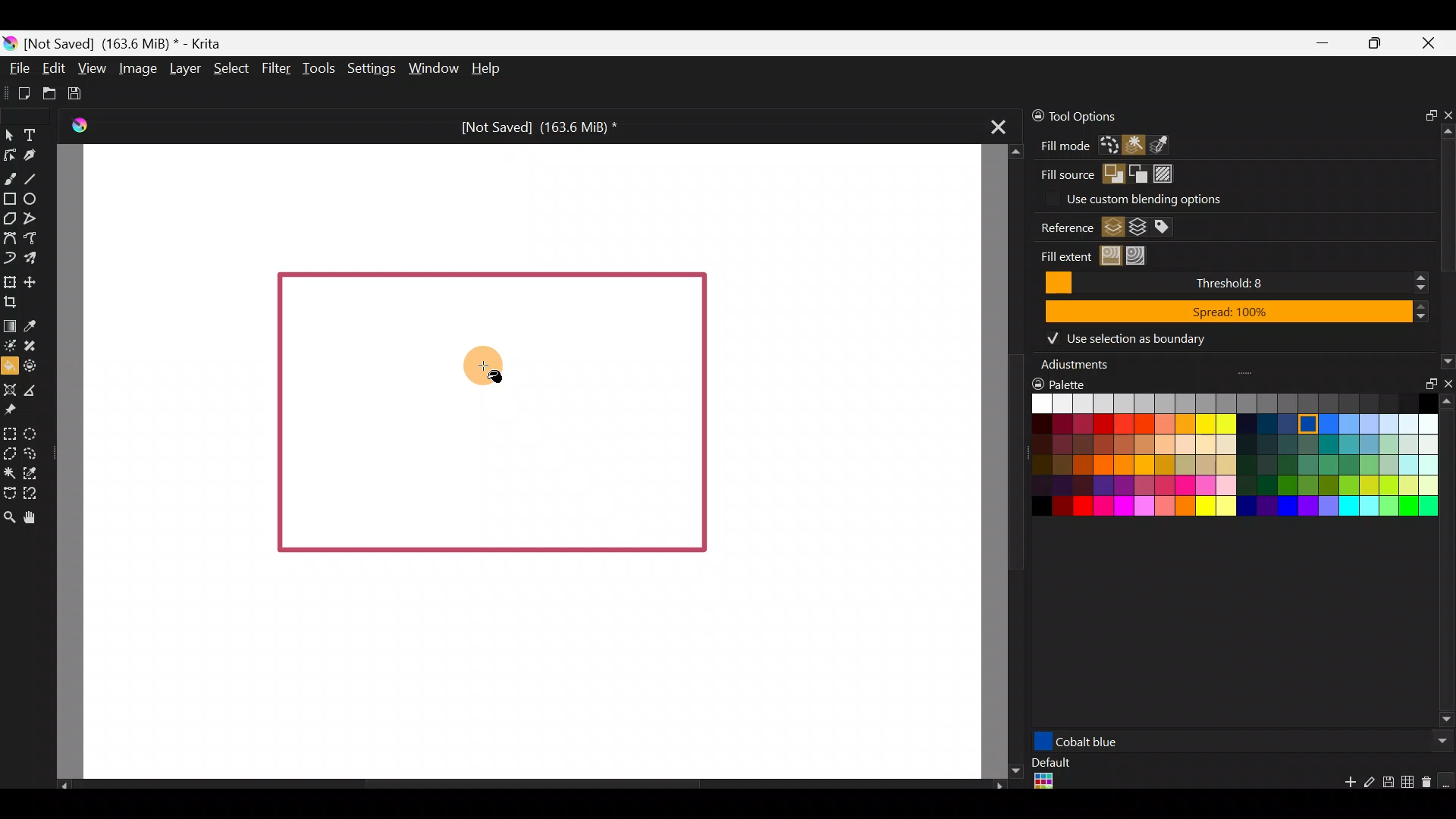 Image resolution: width=1456 pixels, height=819 pixels. I want to click on Assistant tool, so click(10, 388).